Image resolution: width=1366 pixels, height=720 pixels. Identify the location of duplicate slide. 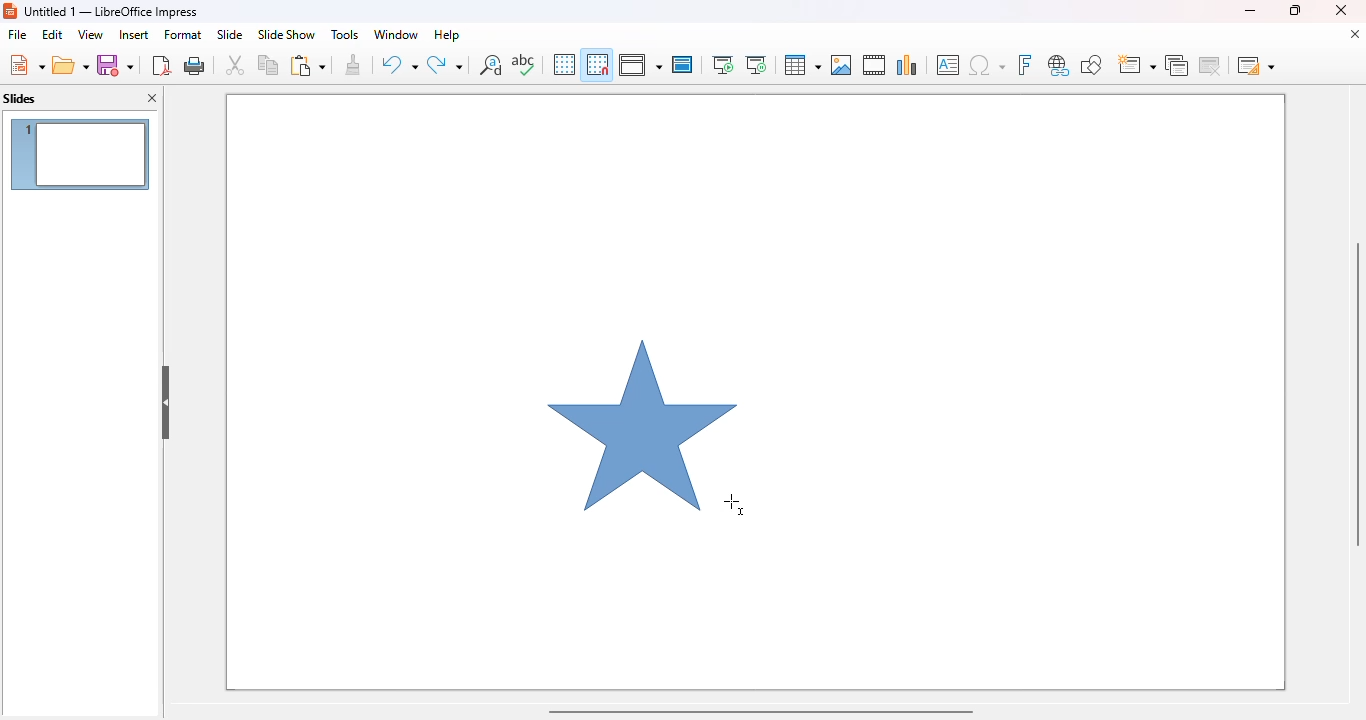
(1177, 65).